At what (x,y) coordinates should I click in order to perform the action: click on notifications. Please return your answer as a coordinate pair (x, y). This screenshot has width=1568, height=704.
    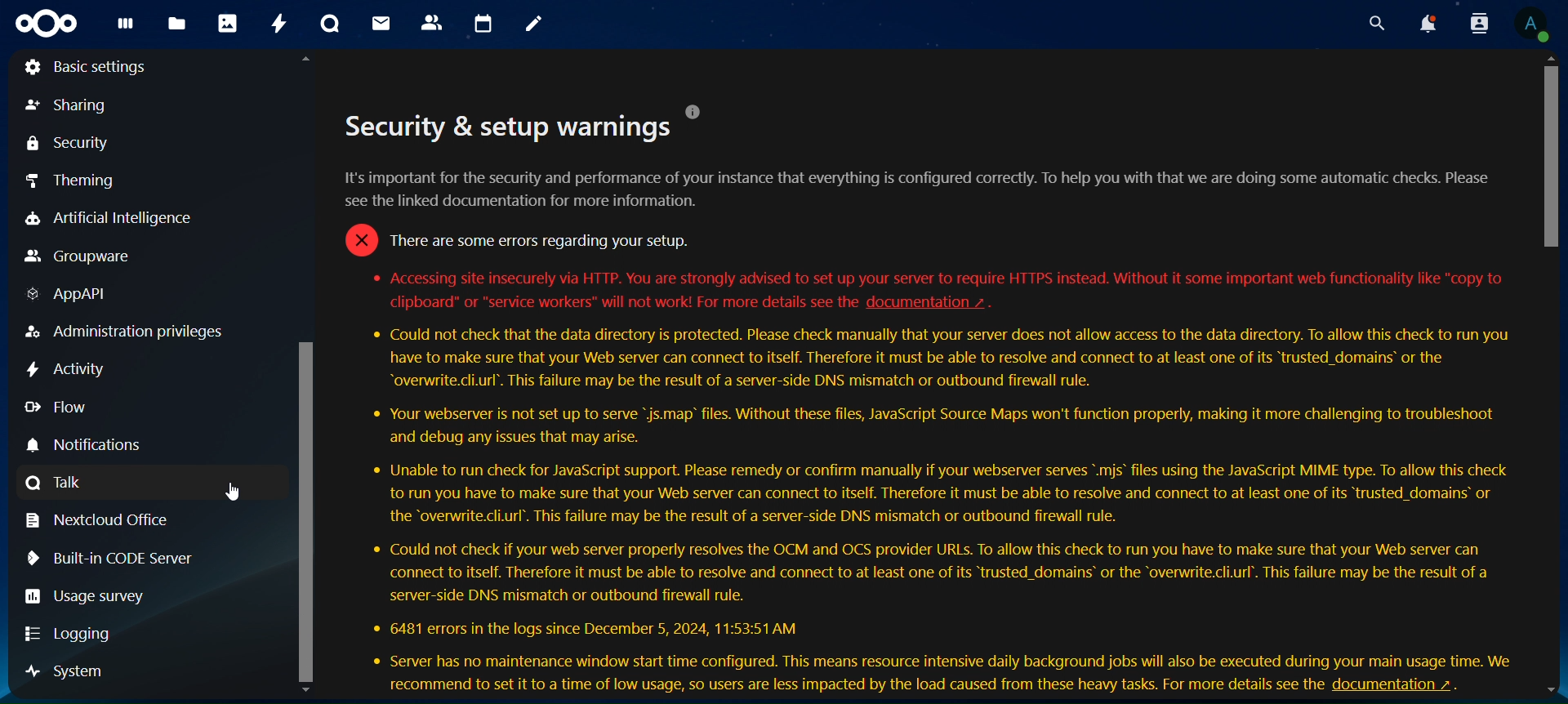
    Looking at the image, I should click on (1423, 25).